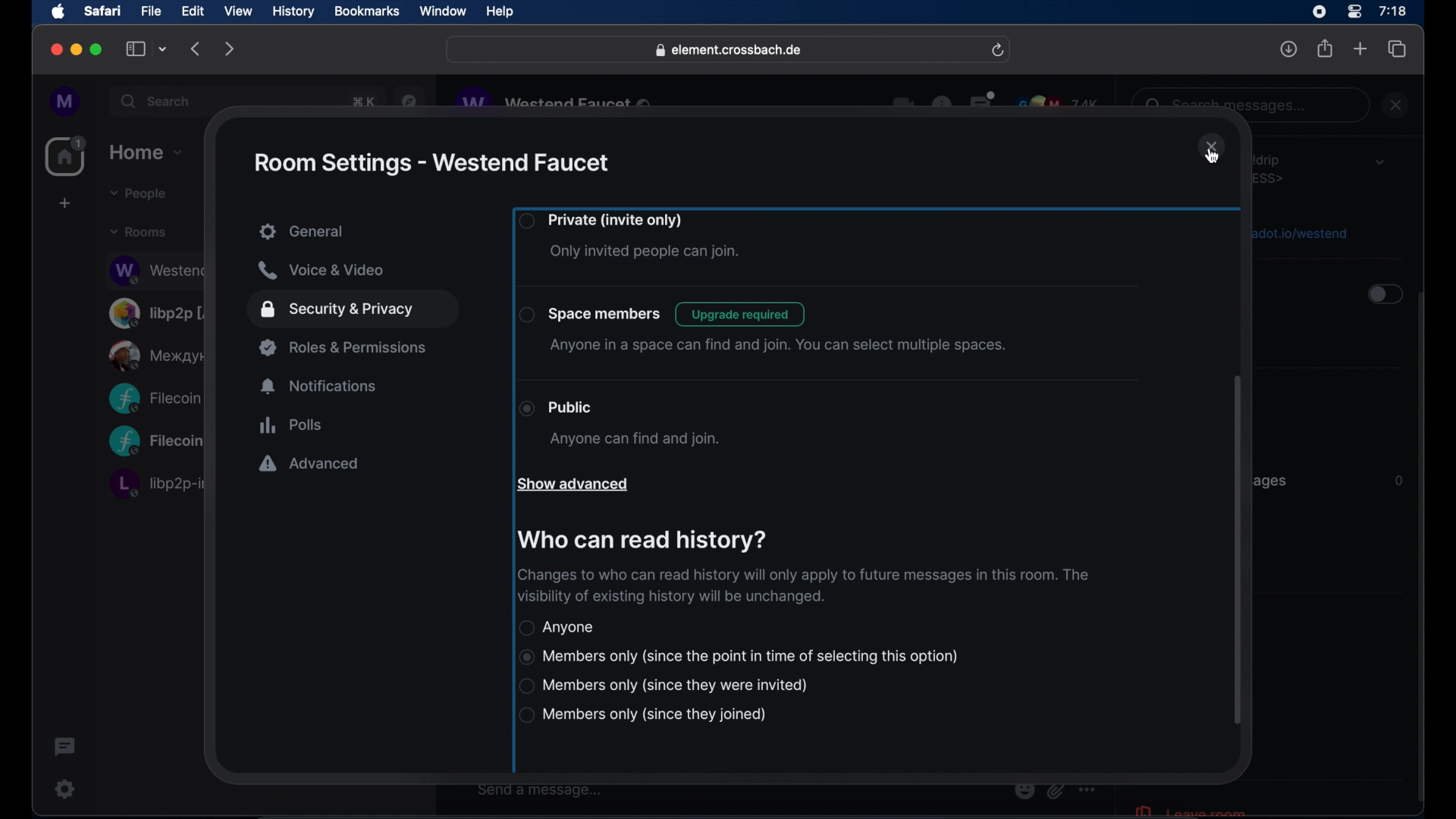 The width and height of the screenshot is (1456, 819). I want to click on settings, so click(66, 789).